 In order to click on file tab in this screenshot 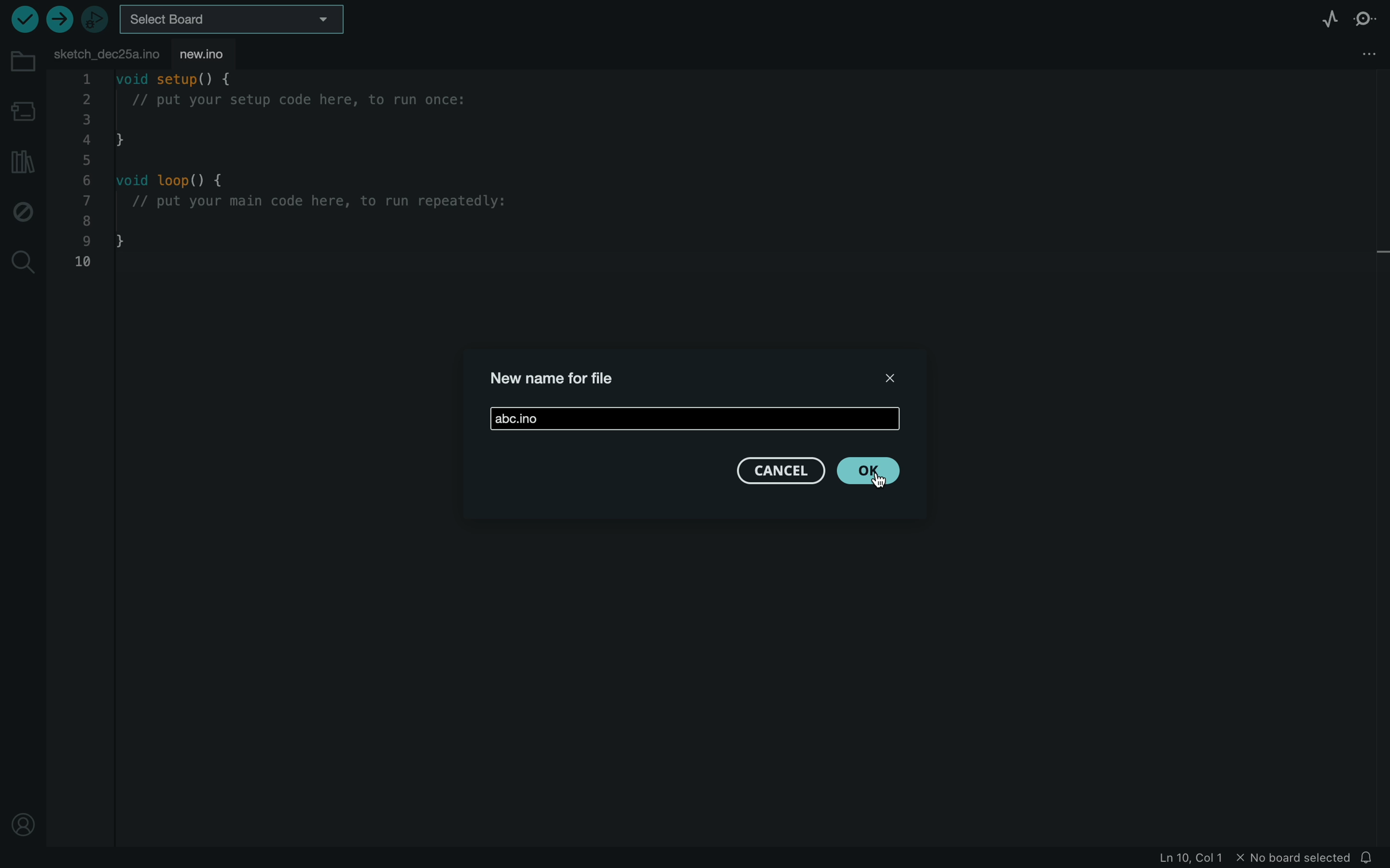, I will do `click(106, 52)`.